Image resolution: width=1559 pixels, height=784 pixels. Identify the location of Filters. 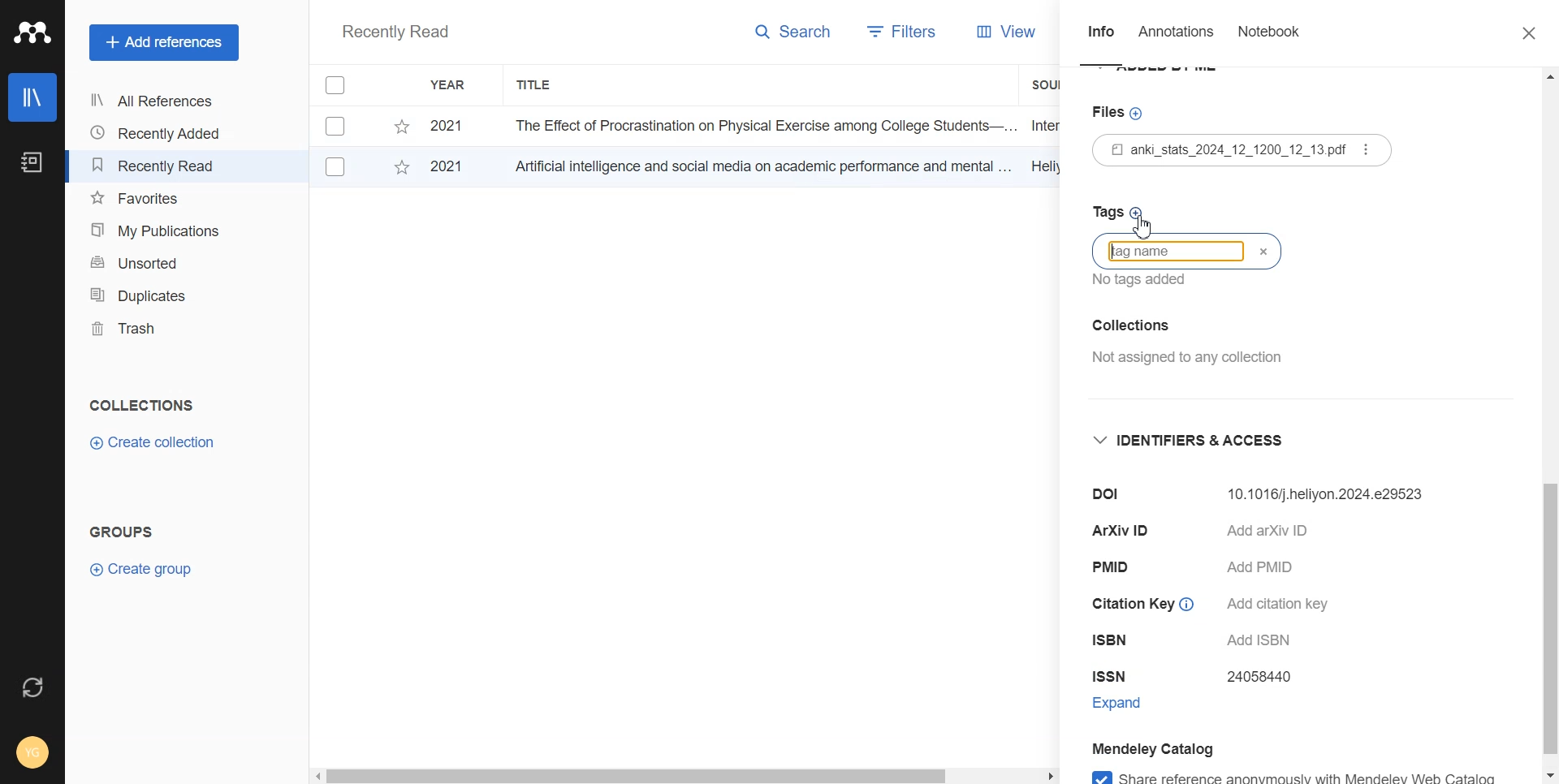
(896, 33).